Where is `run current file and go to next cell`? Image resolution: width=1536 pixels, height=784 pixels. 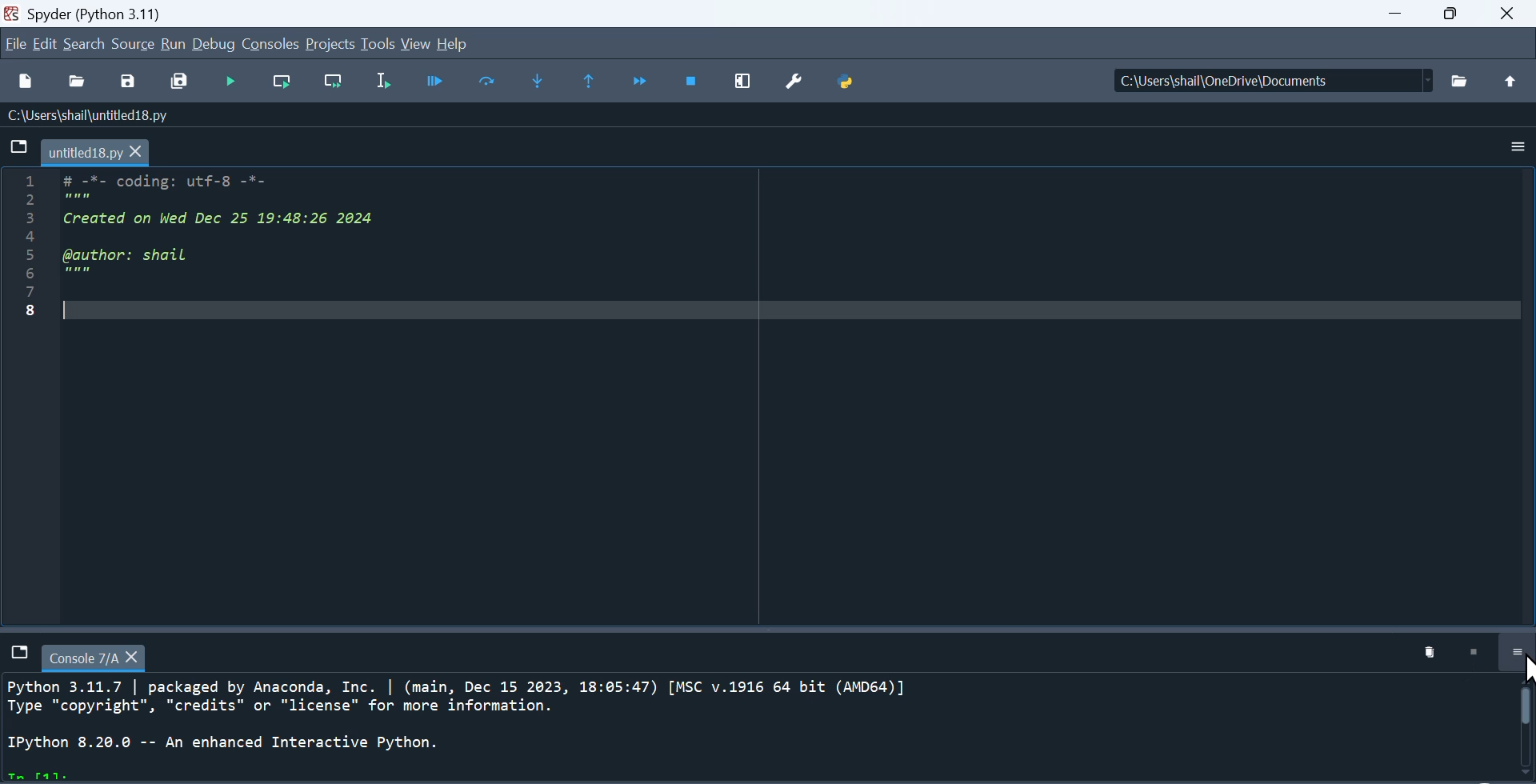
run current file and go to next cell is located at coordinates (330, 81).